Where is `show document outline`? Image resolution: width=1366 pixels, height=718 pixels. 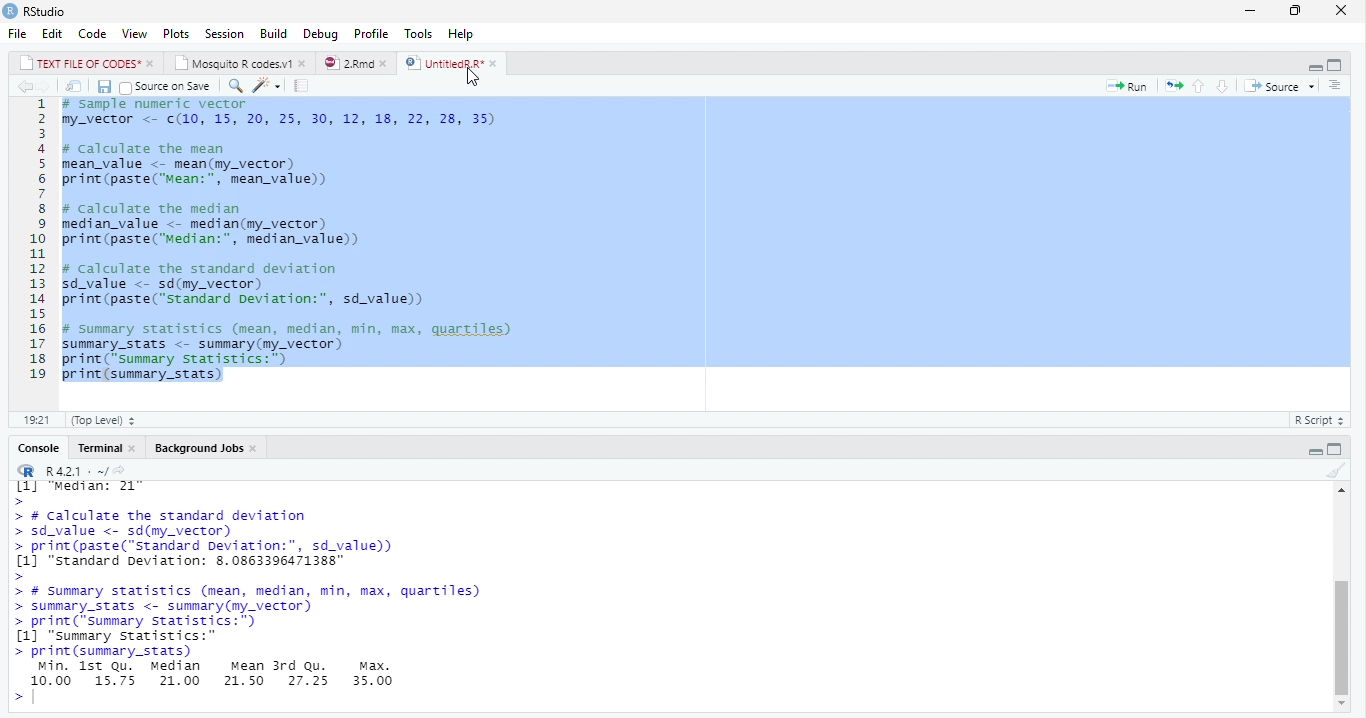 show document outline is located at coordinates (1336, 86).